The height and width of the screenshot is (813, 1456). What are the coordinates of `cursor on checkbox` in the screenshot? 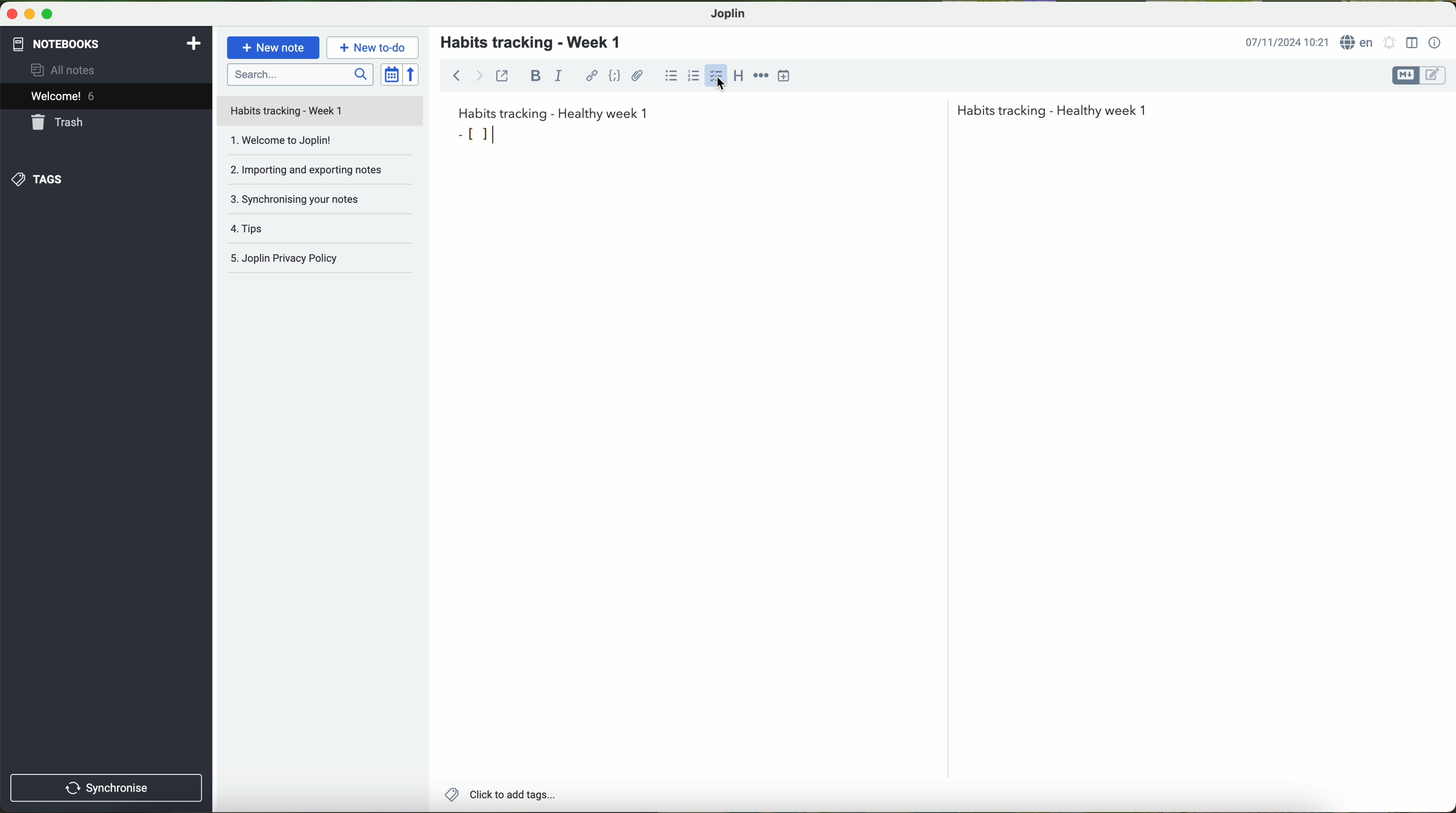 It's located at (717, 79).